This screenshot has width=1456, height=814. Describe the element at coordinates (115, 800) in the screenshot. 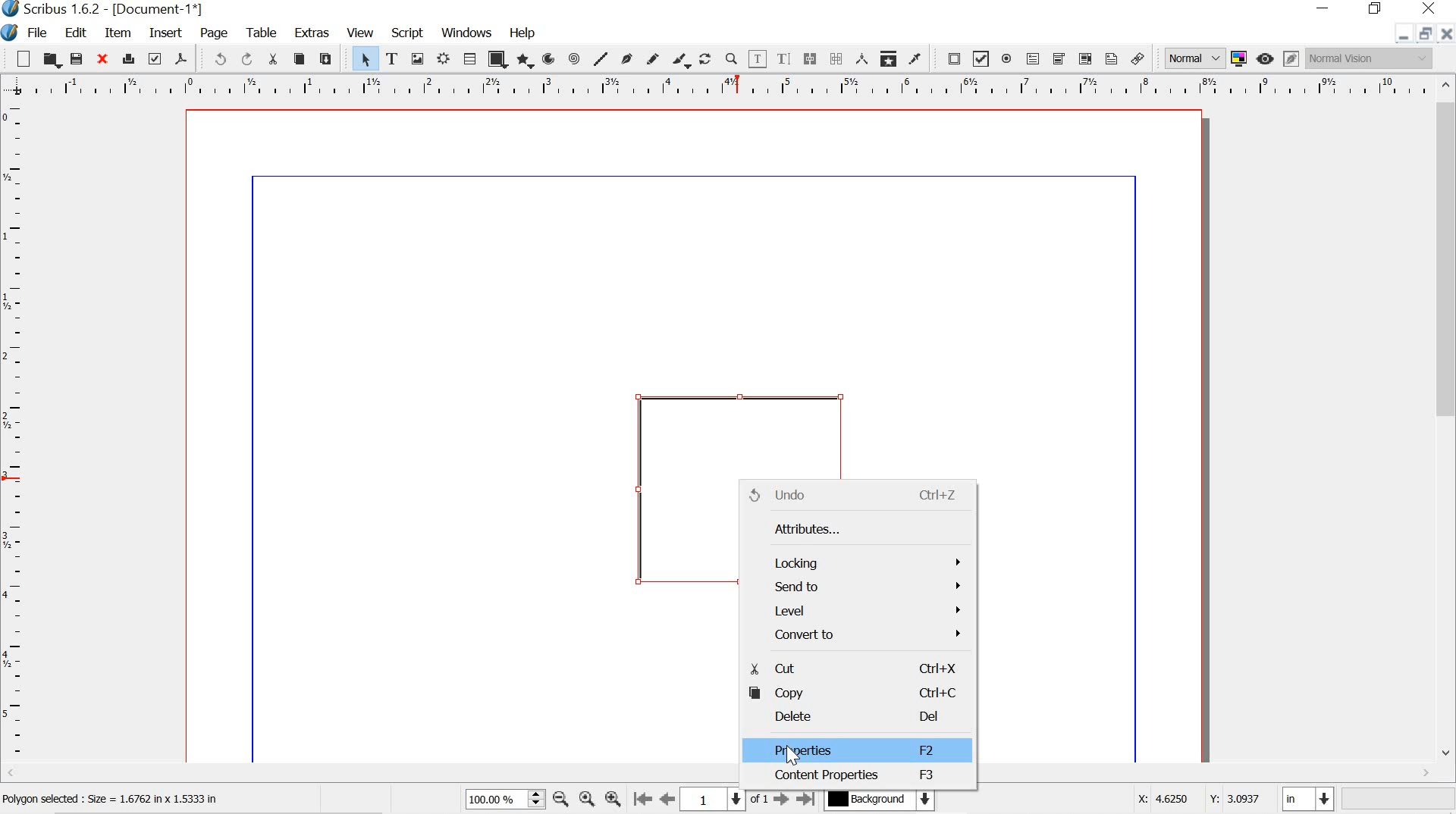

I see `Polygon selected : Size = 1.6762 in x 1.5333 in` at that location.